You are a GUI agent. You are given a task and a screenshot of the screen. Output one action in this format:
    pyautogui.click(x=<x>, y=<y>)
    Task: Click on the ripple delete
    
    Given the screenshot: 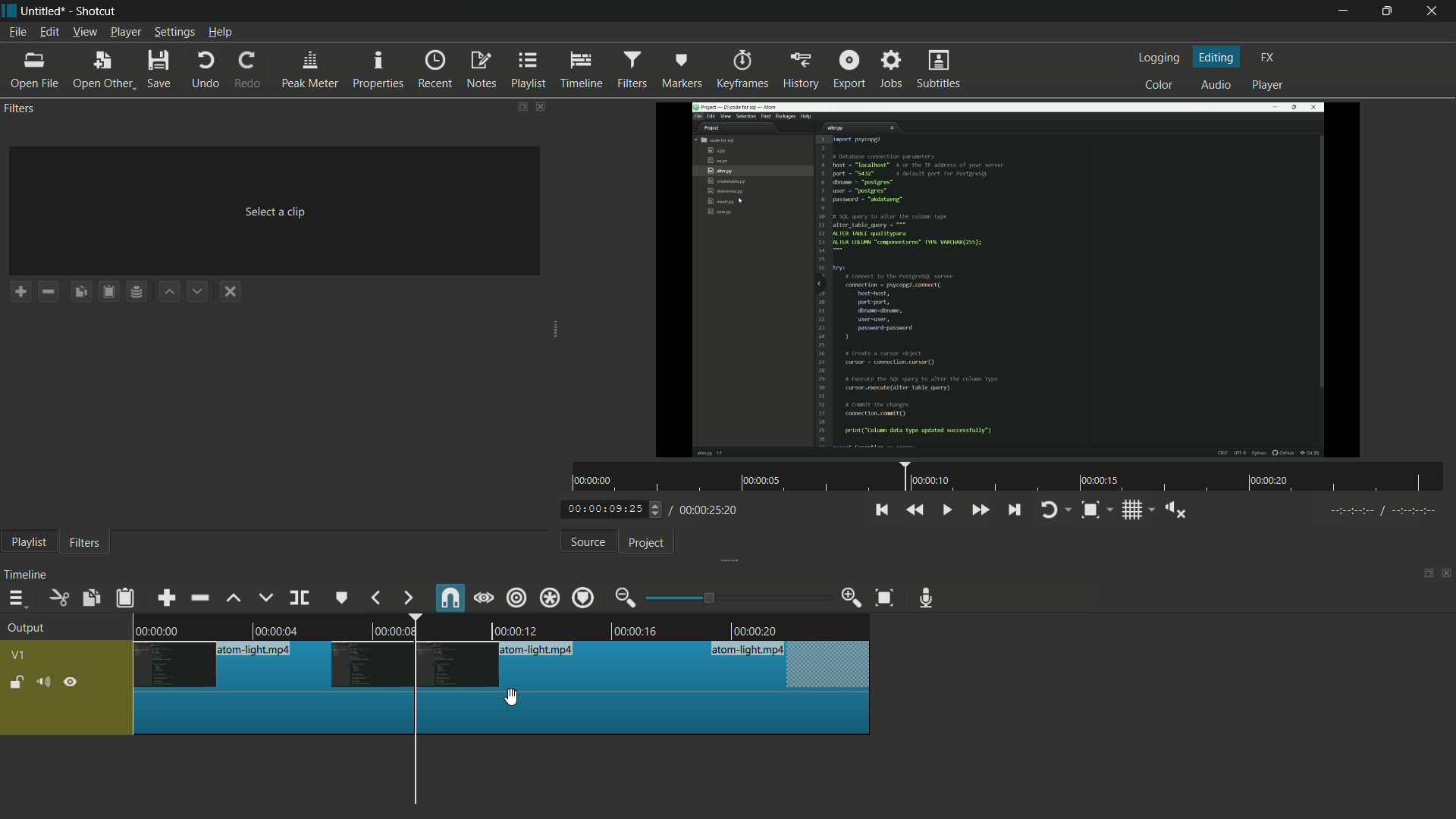 What is the action you would take?
    pyautogui.click(x=199, y=597)
    